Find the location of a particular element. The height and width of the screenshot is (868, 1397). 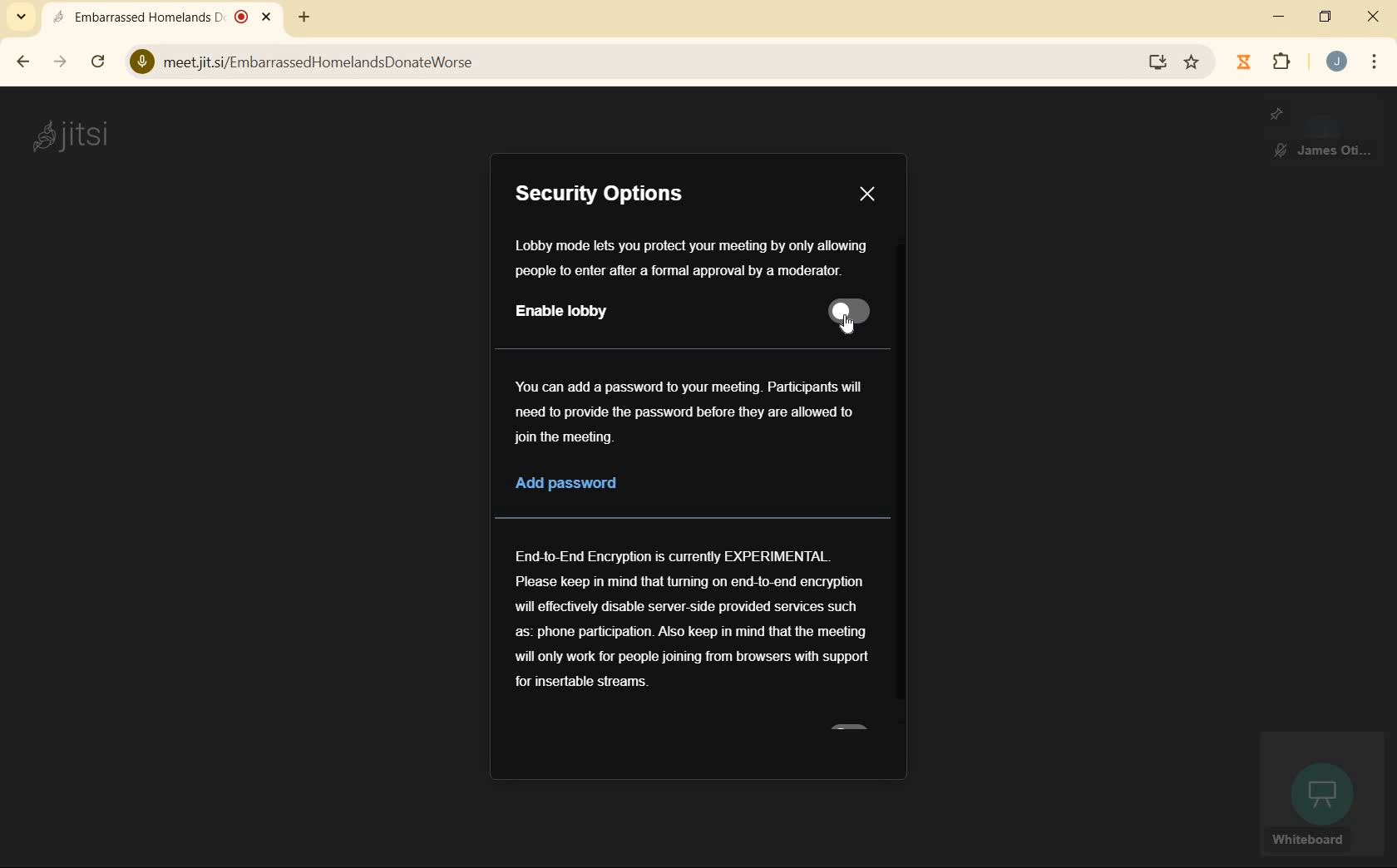

restore down is located at coordinates (1325, 17).